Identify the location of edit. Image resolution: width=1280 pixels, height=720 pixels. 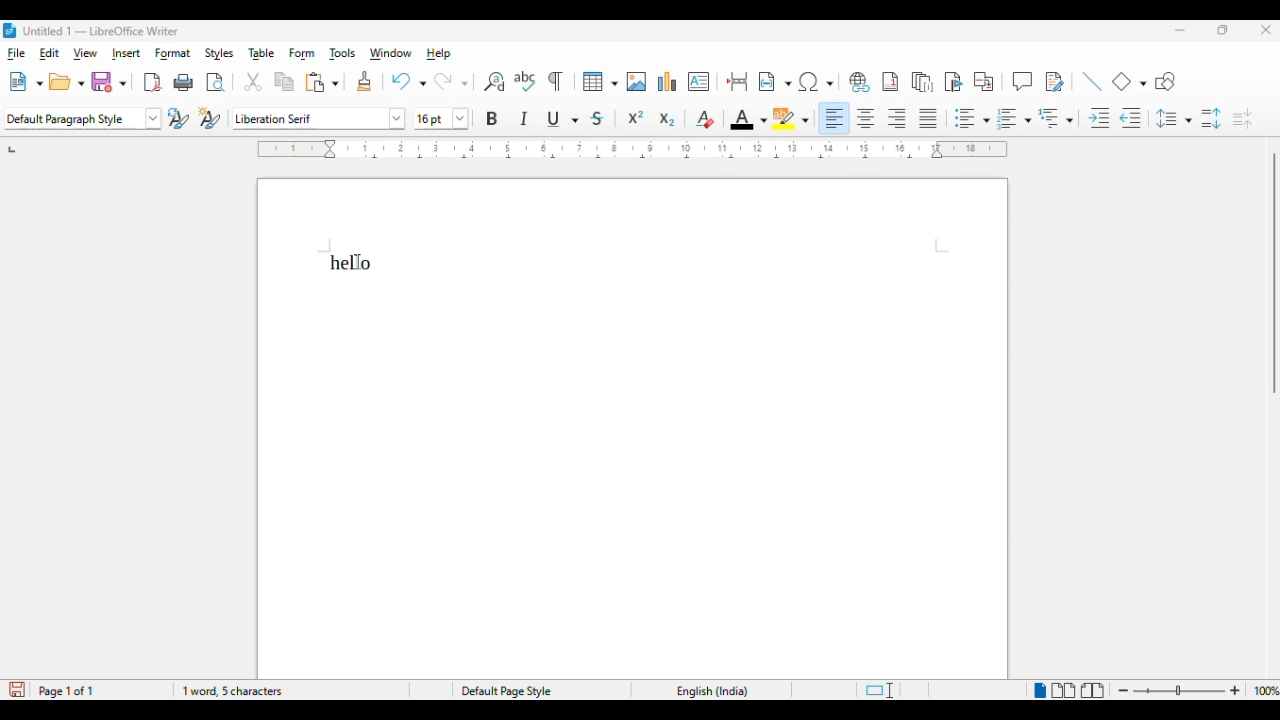
(50, 53).